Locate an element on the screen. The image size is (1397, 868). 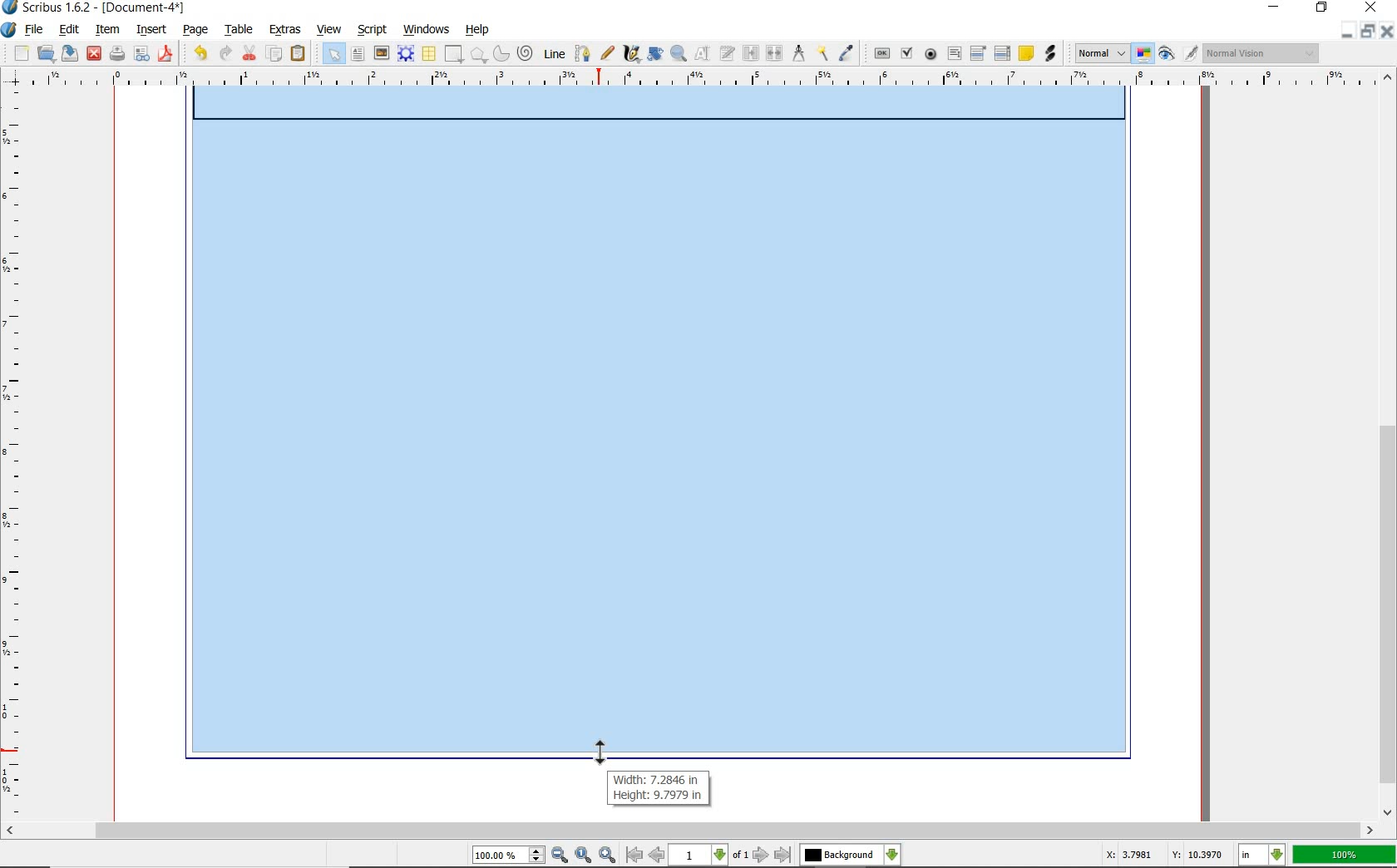
pdf list box is located at coordinates (1002, 52).